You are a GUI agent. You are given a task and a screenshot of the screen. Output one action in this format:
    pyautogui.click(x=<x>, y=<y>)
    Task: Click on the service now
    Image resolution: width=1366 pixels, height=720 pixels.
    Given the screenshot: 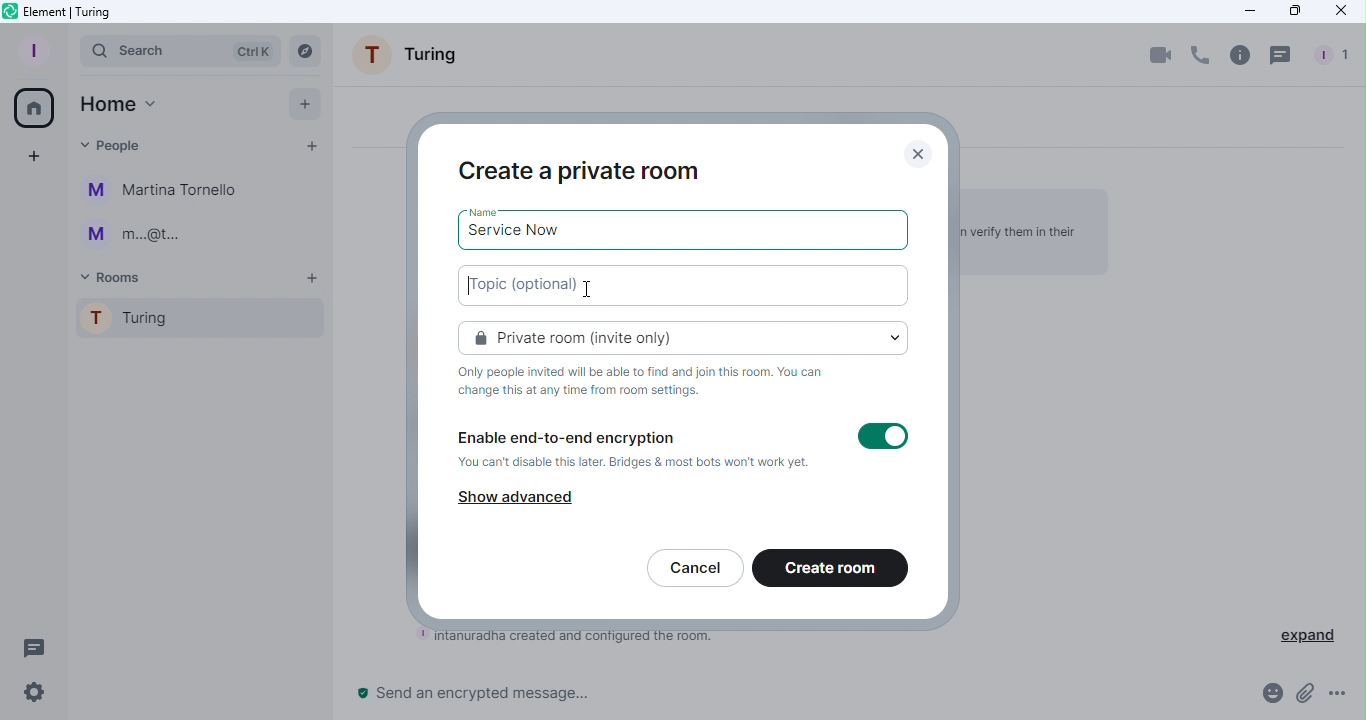 What is the action you would take?
    pyautogui.click(x=542, y=236)
    